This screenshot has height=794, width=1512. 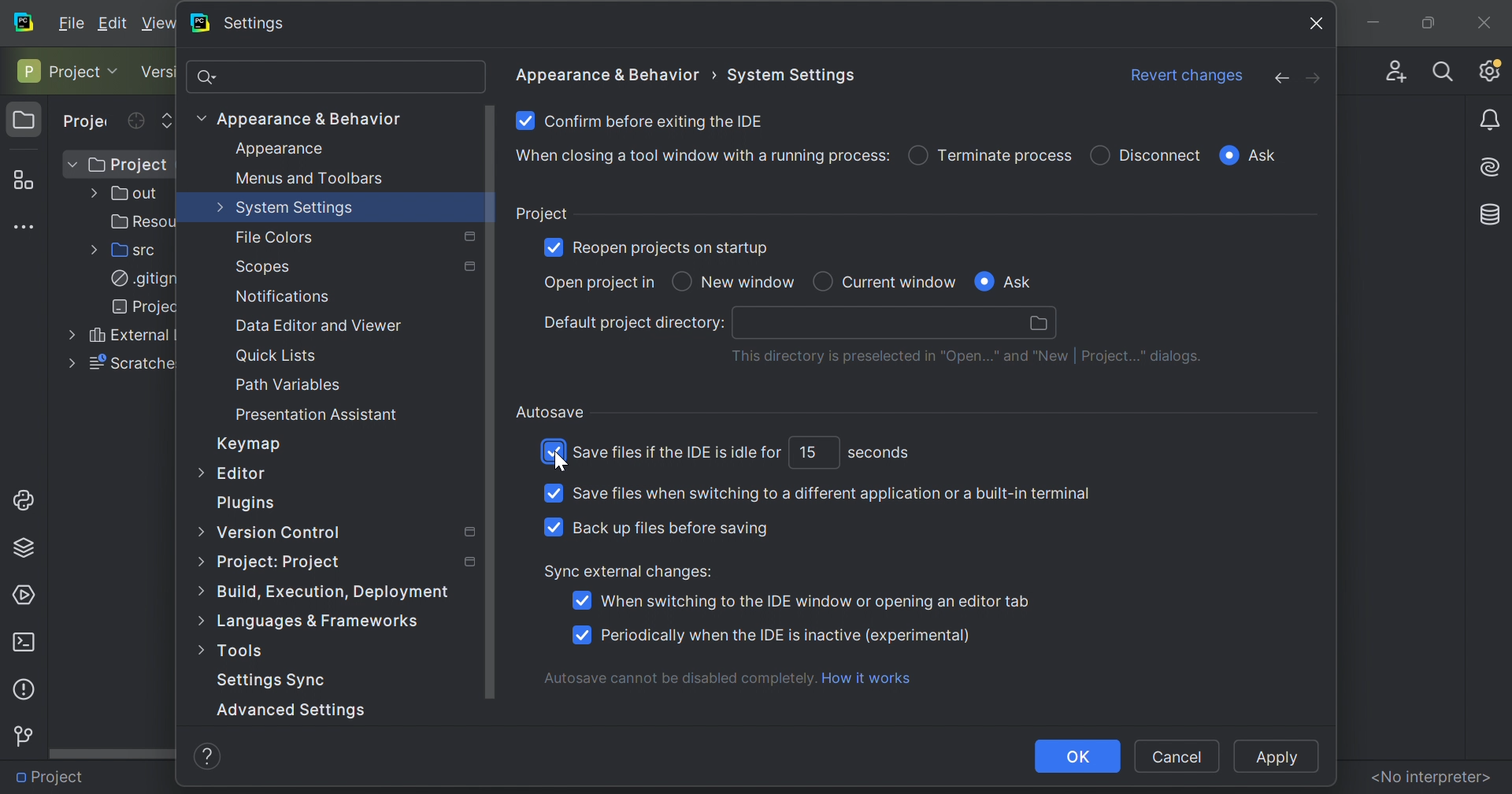 What do you see at coordinates (673, 249) in the screenshot?
I see `Reopen projects on startup` at bounding box center [673, 249].